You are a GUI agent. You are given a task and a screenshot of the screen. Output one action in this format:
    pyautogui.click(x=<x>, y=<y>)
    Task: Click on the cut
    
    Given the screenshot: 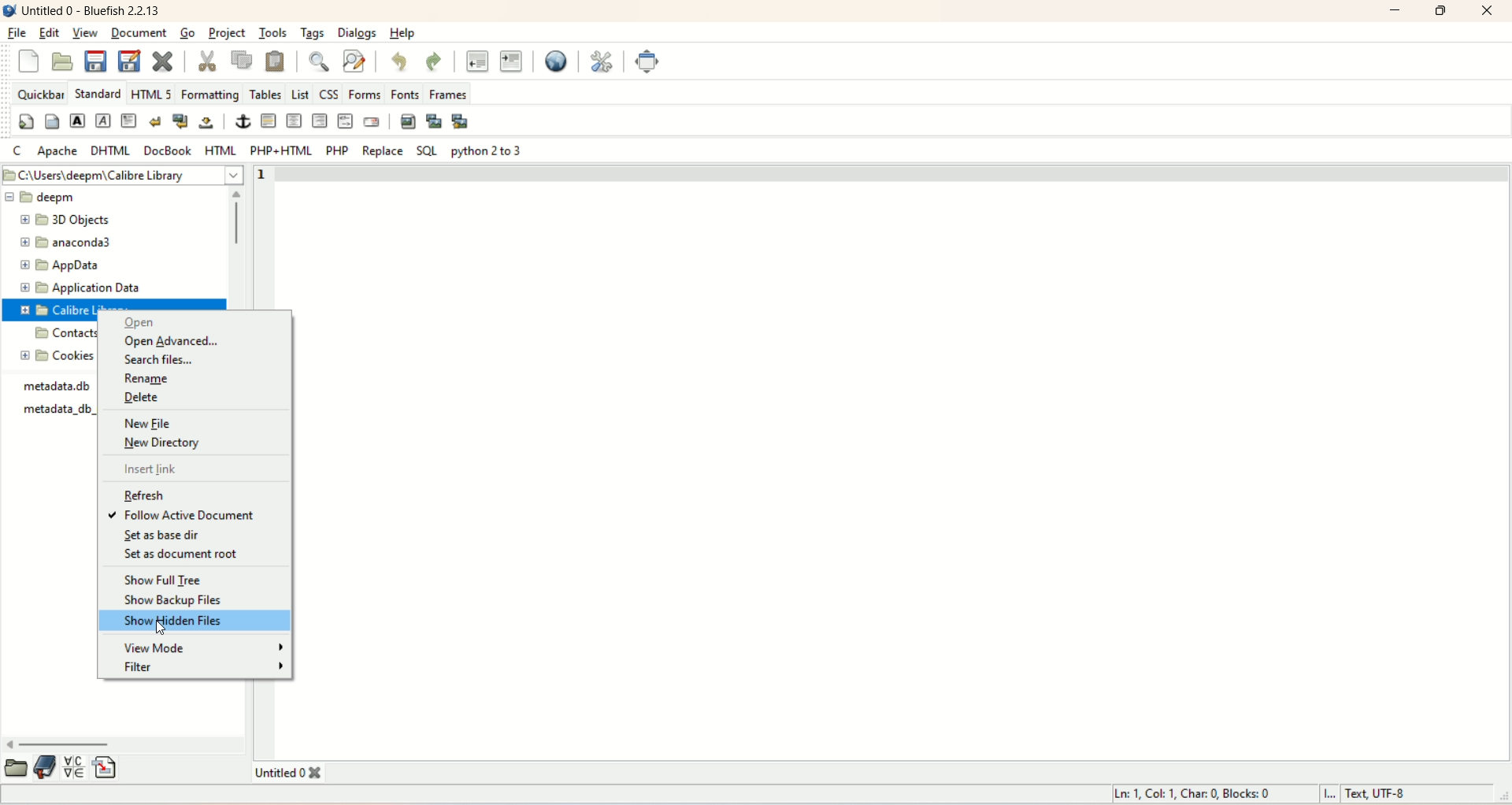 What is the action you would take?
    pyautogui.click(x=207, y=59)
    